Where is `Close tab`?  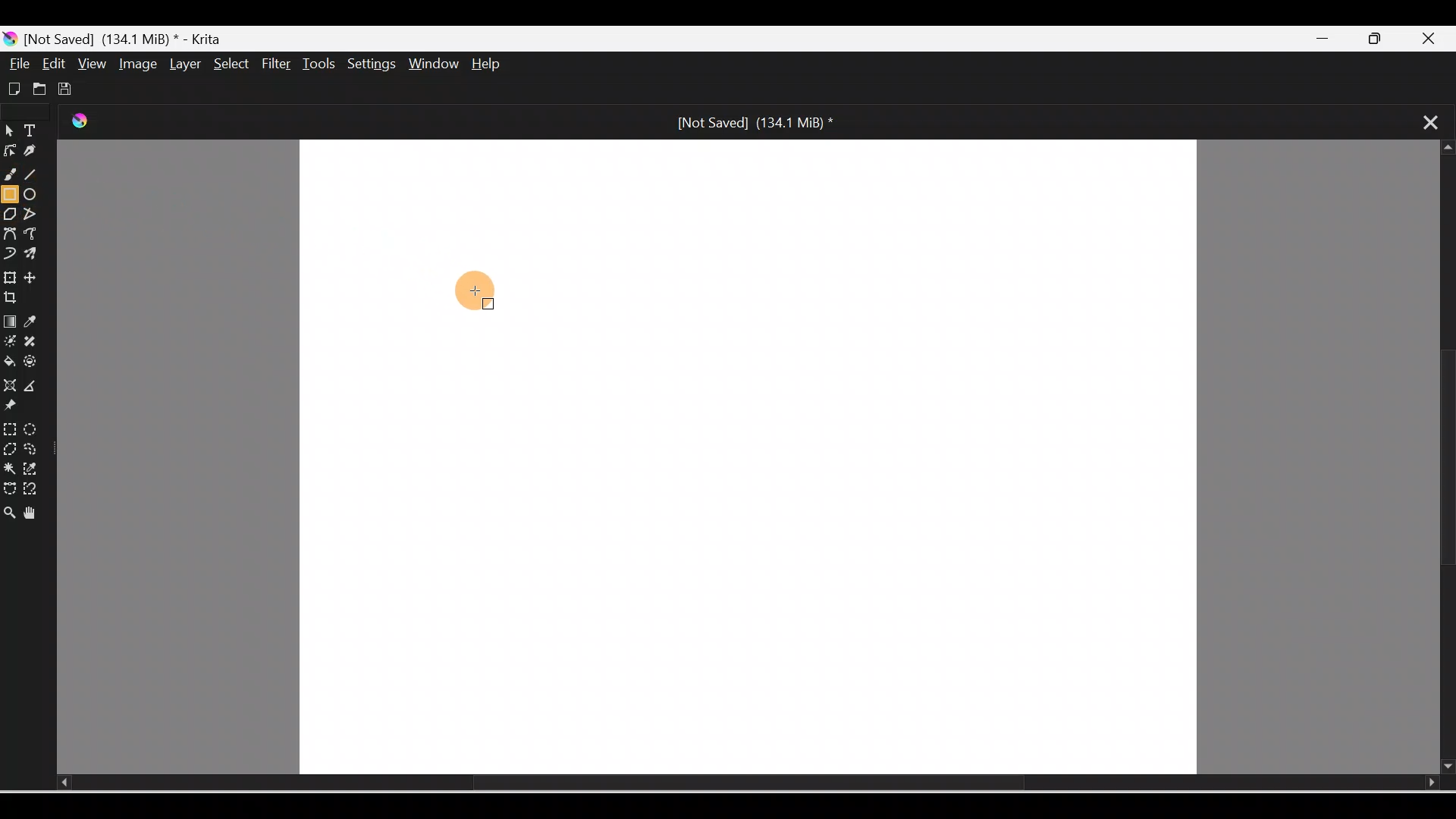
Close tab is located at coordinates (1423, 121).